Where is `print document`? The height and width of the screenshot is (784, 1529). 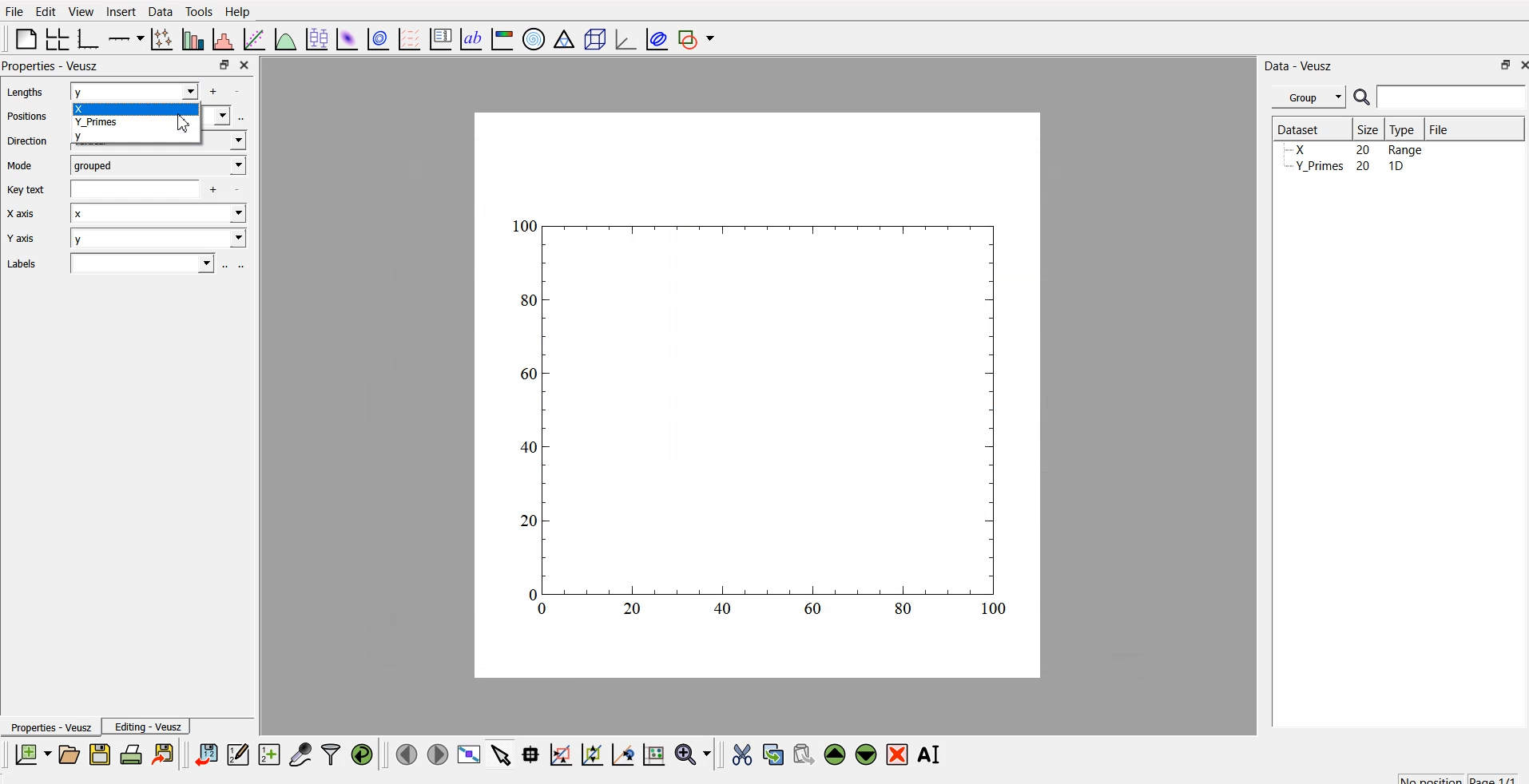 print document is located at coordinates (133, 755).